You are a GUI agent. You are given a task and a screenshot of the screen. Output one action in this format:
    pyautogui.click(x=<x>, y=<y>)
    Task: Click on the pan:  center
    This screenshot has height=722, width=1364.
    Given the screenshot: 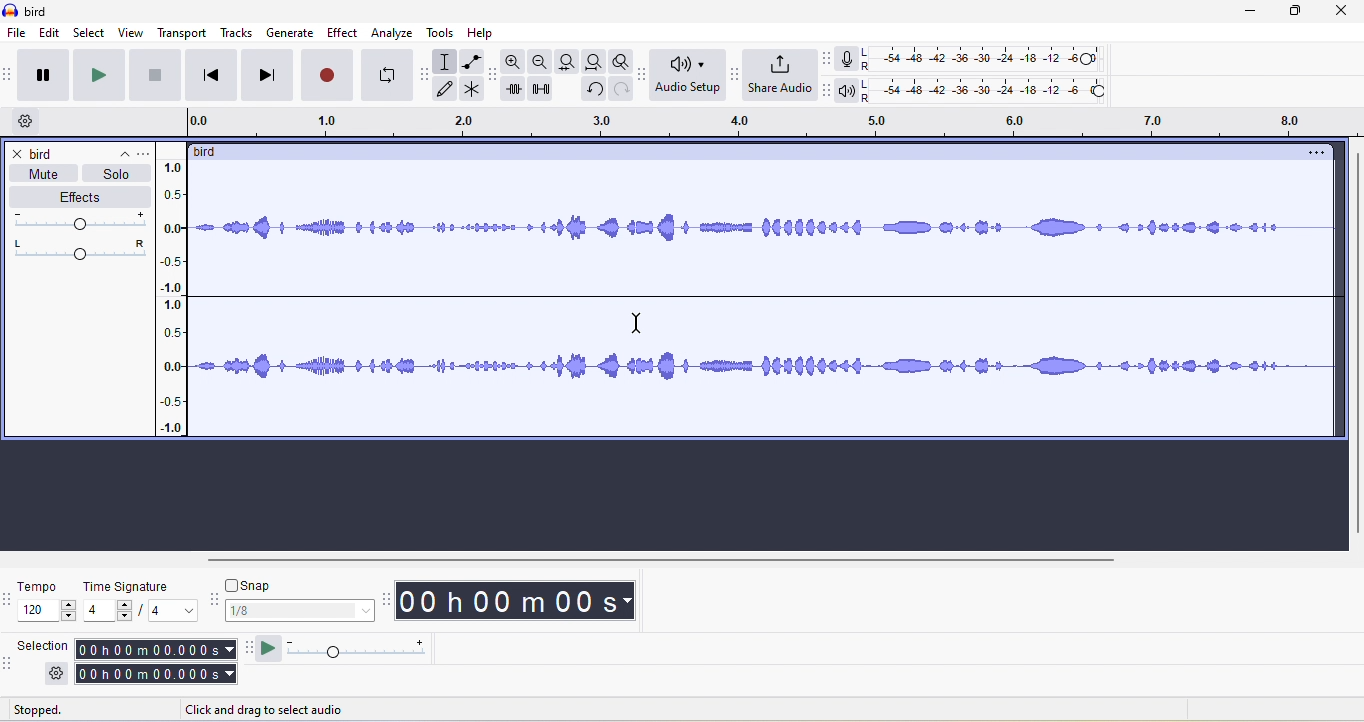 What is the action you would take?
    pyautogui.click(x=80, y=248)
    